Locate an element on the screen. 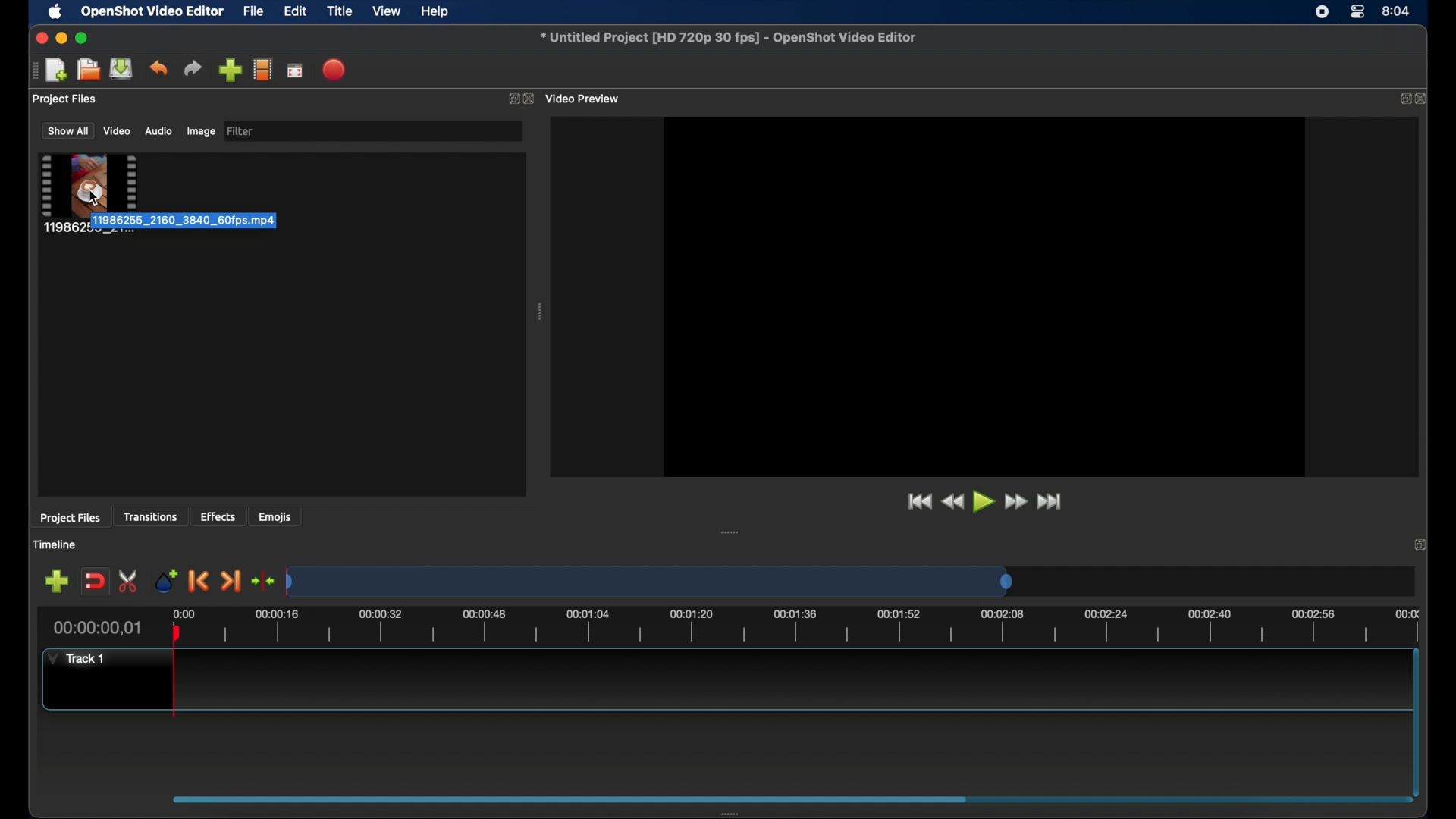  rewind is located at coordinates (953, 502).